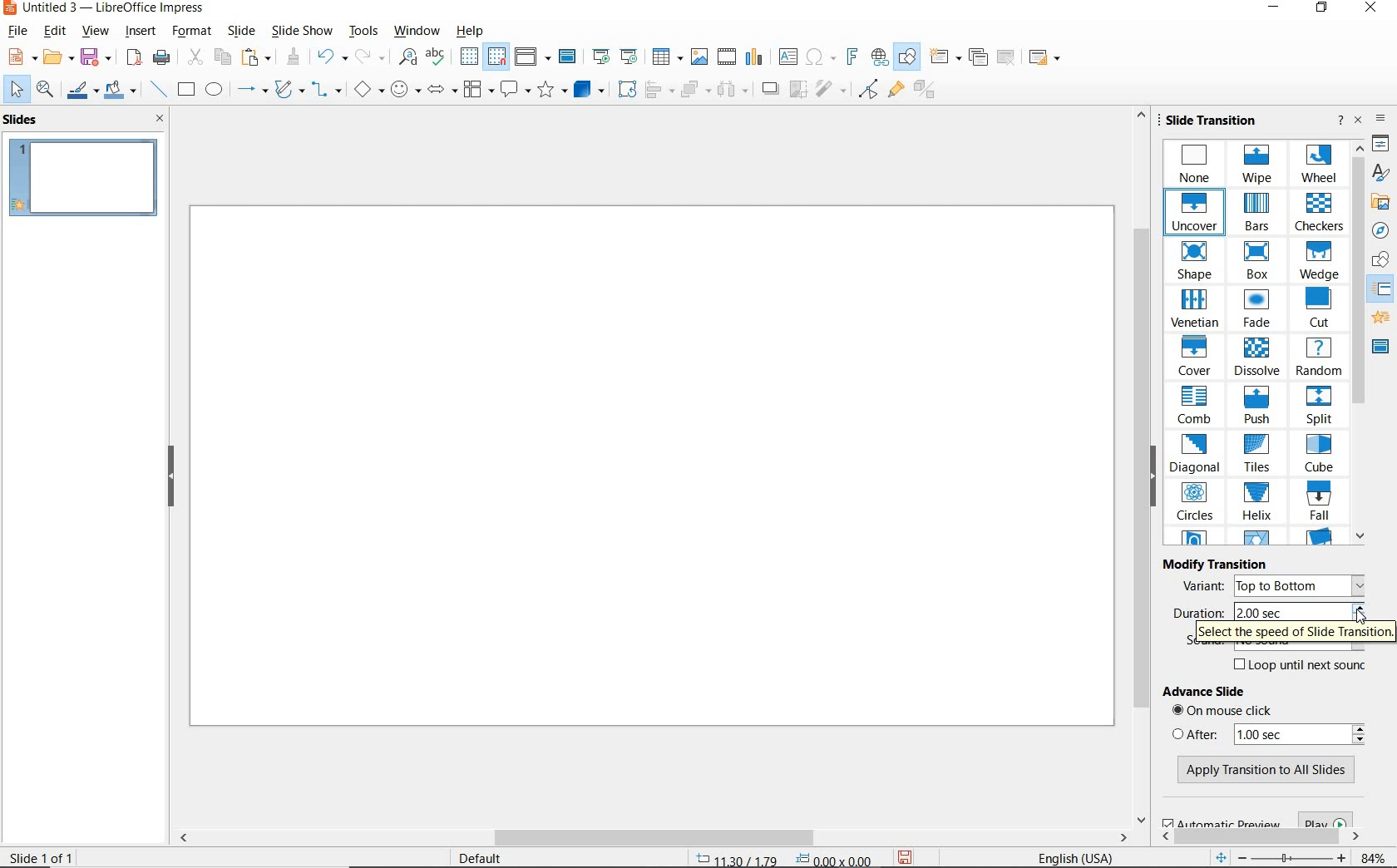 This screenshot has width=1397, height=868. Describe the element at coordinates (254, 58) in the screenshot. I see `PASTE` at that location.